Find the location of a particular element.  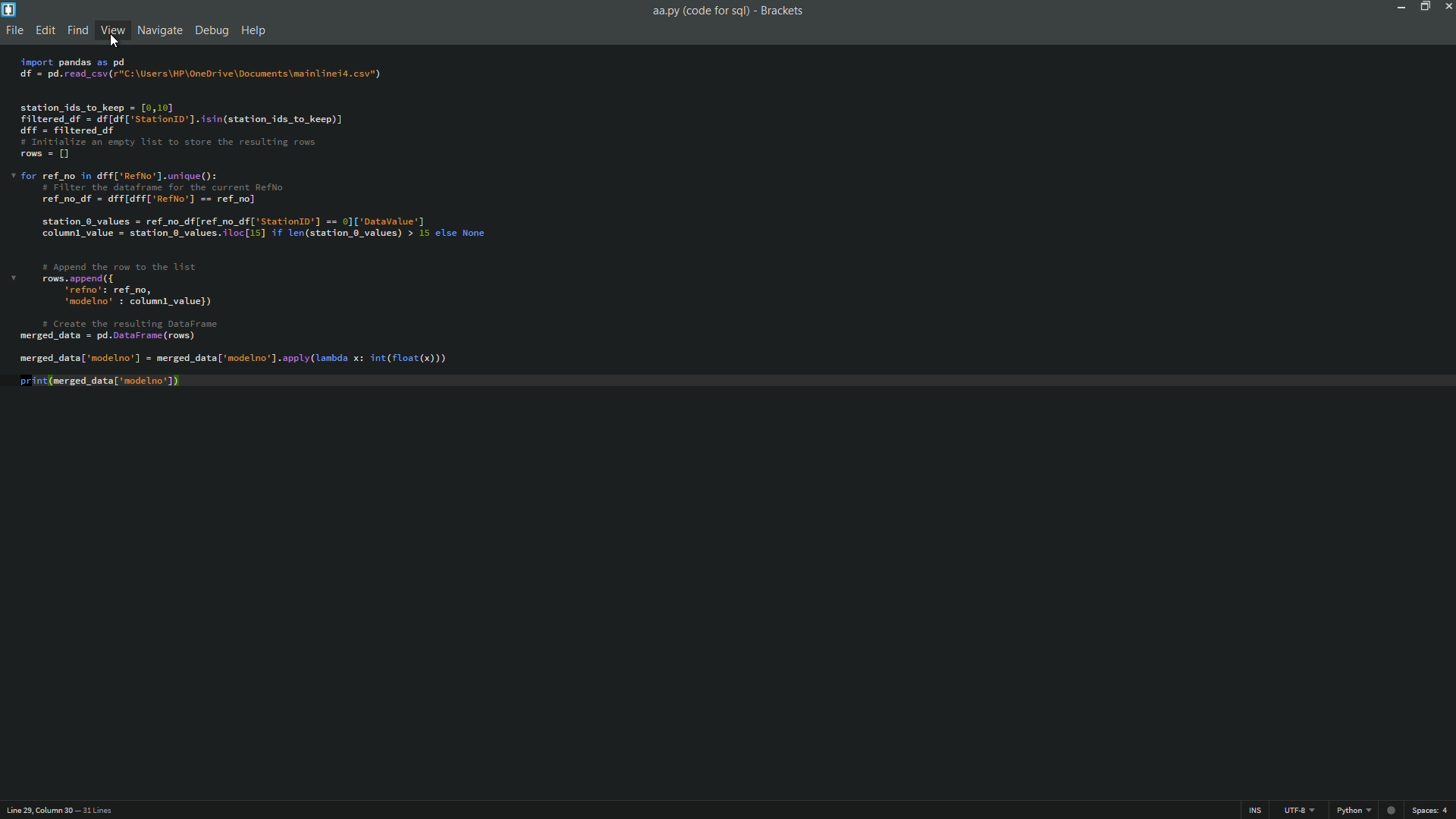

cursor position is located at coordinates (37, 810).